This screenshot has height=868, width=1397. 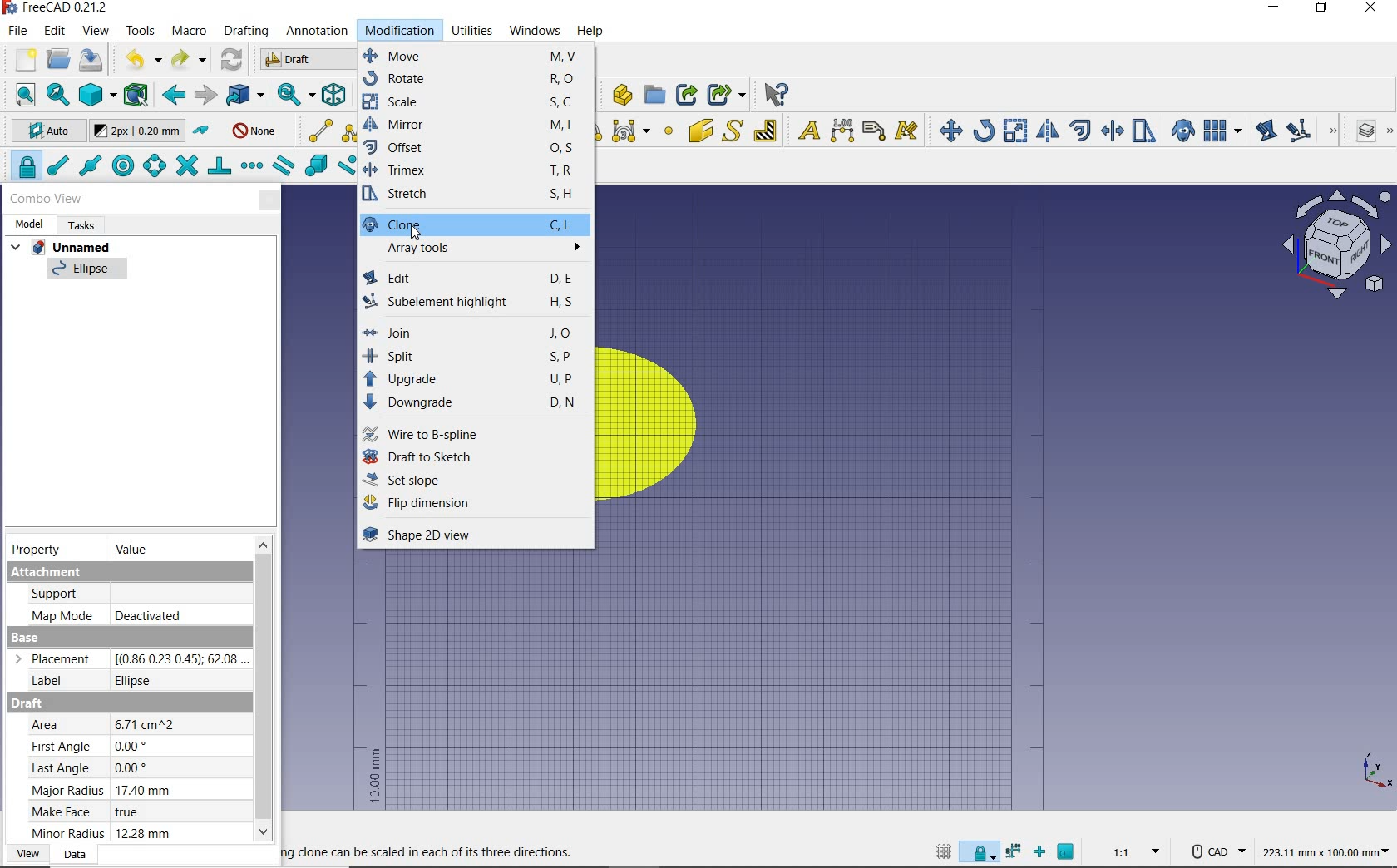 What do you see at coordinates (124, 166) in the screenshot?
I see `snap center` at bounding box center [124, 166].